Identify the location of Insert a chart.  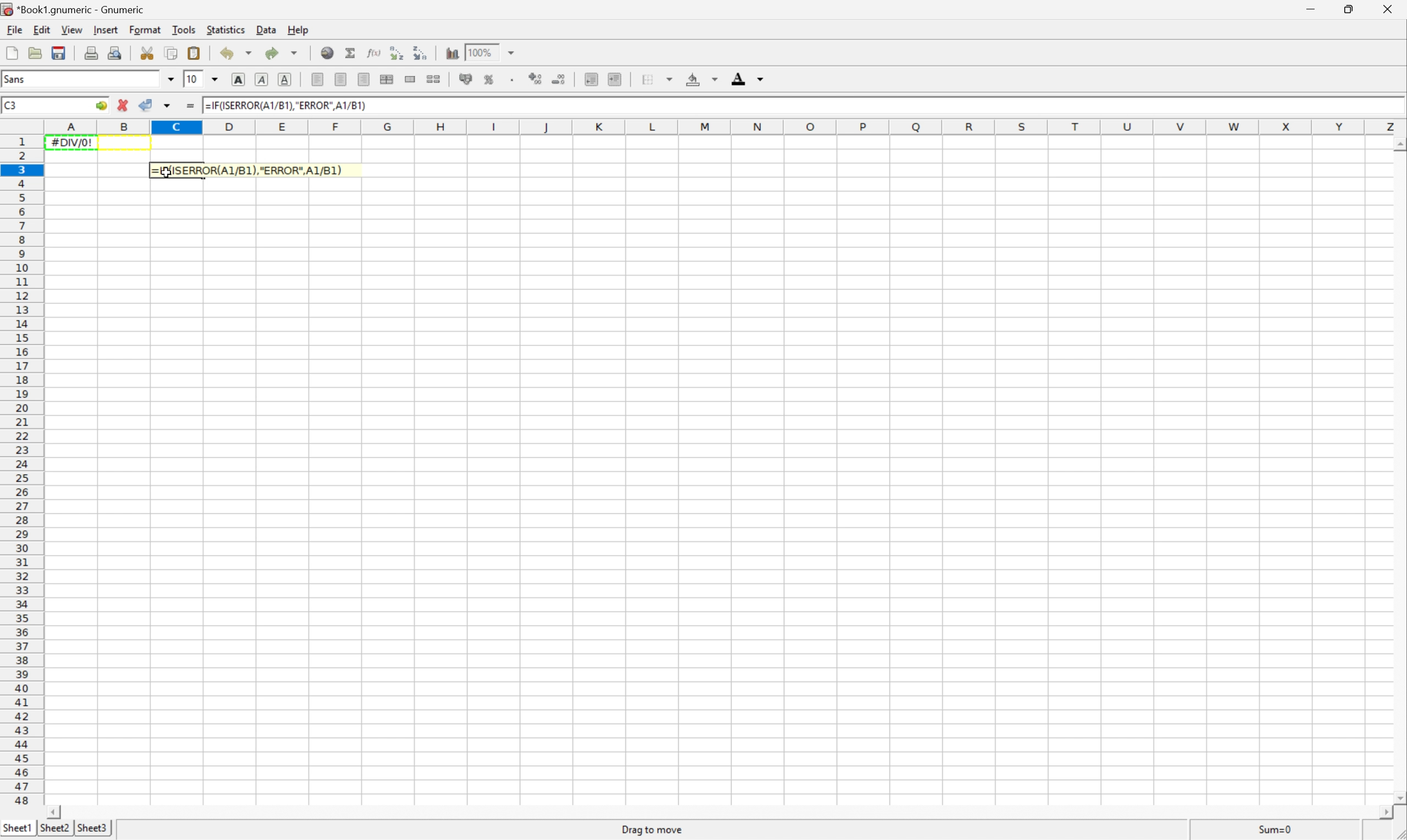
(452, 53).